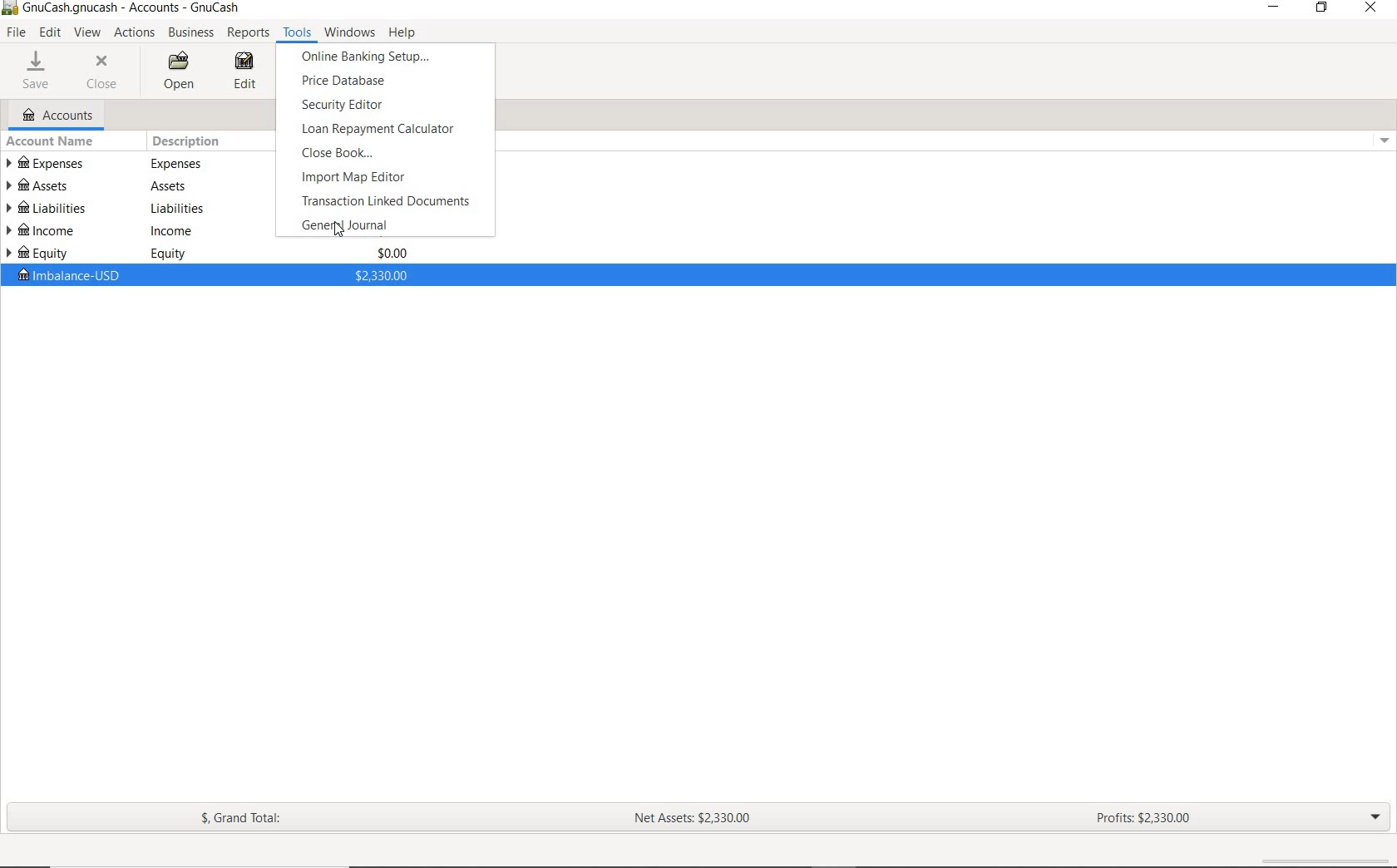 This screenshot has width=1397, height=868. Describe the element at coordinates (386, 153) in the screenshot. I see `CLOSE BOOK` at that location.